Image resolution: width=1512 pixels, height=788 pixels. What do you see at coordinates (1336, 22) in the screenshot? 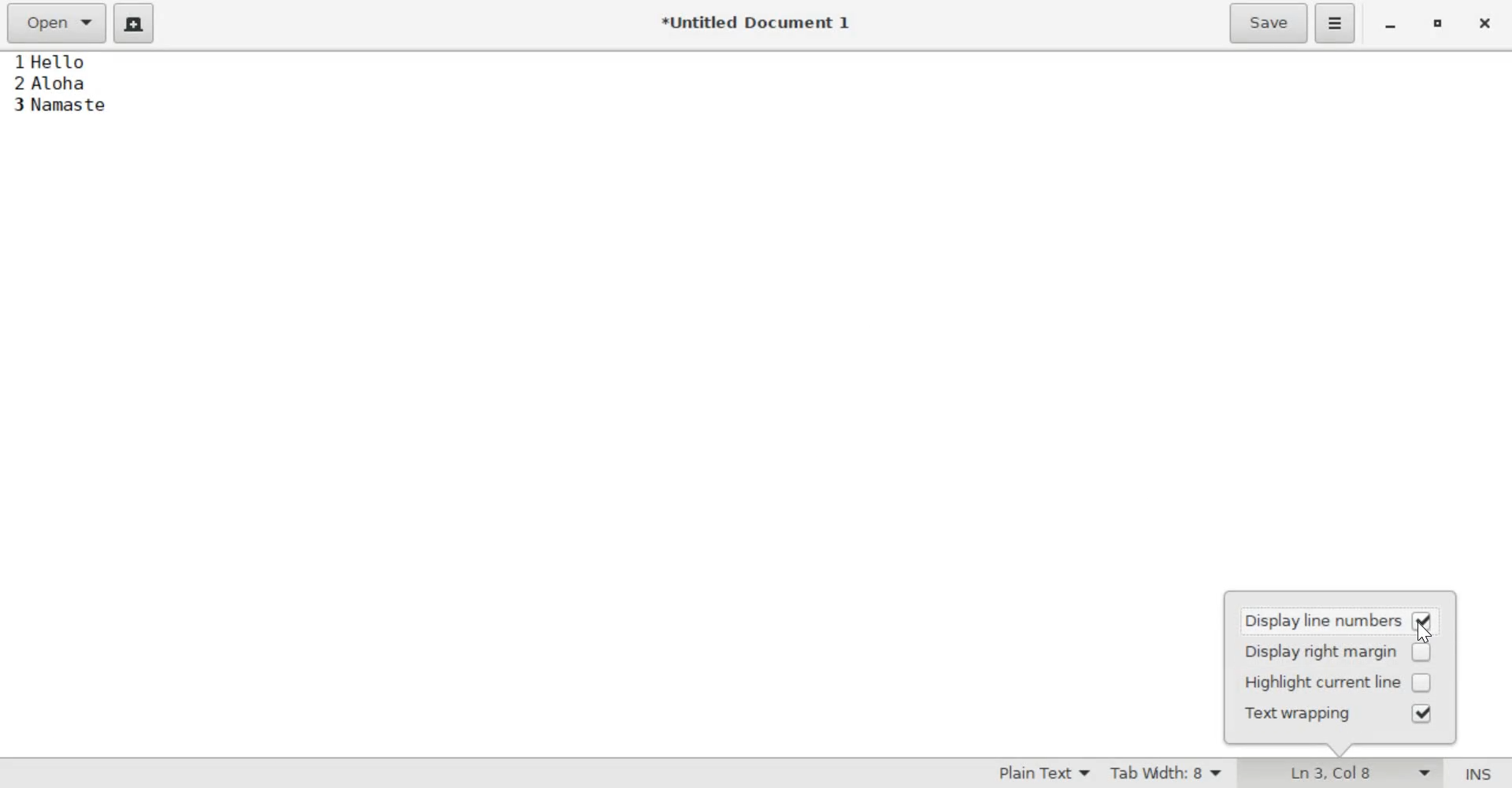
I see `Application menu` at bounding box center [1336, 22].